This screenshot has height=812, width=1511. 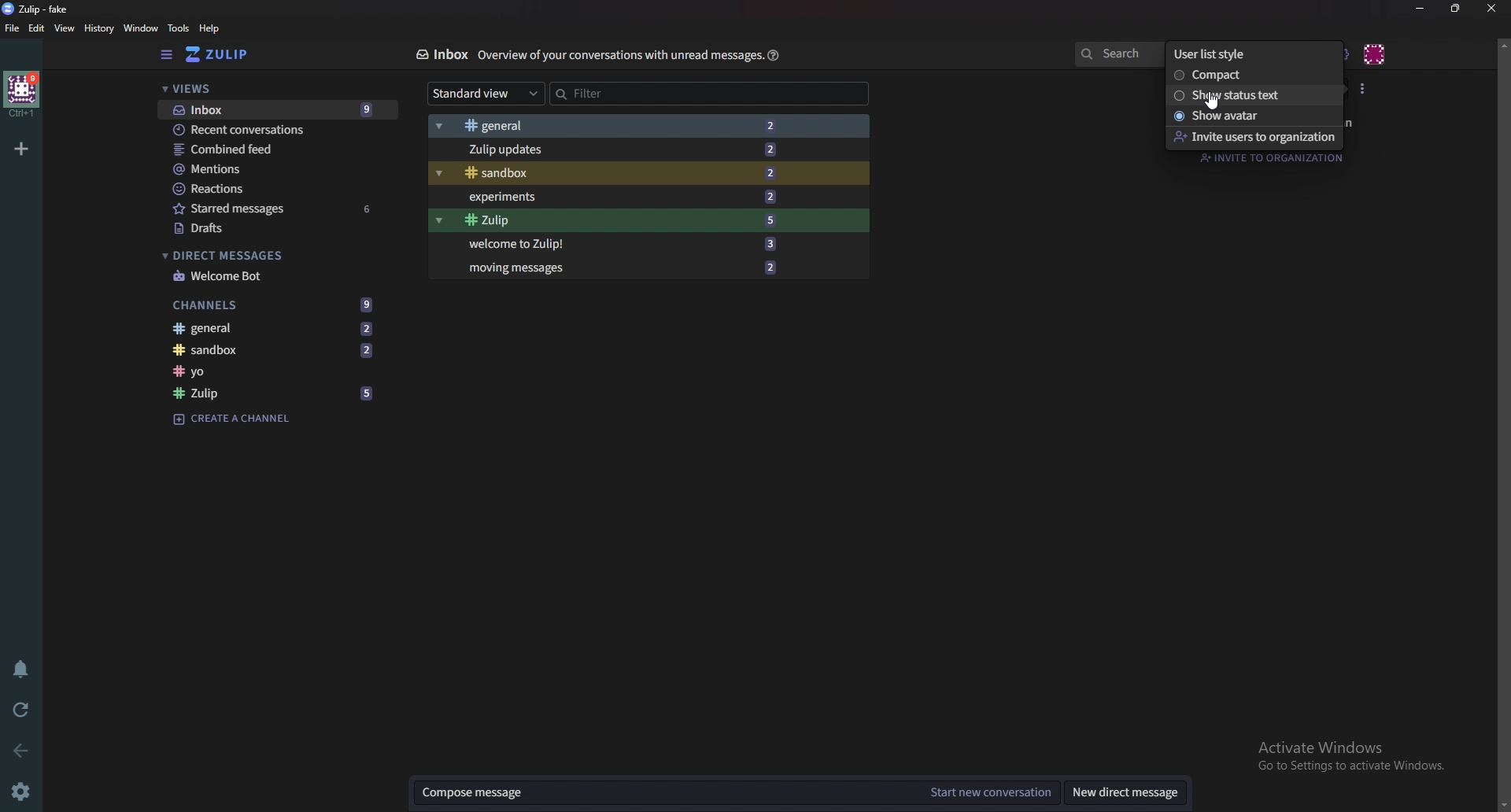 I want to click on Search, so click(x=1117, y=54).